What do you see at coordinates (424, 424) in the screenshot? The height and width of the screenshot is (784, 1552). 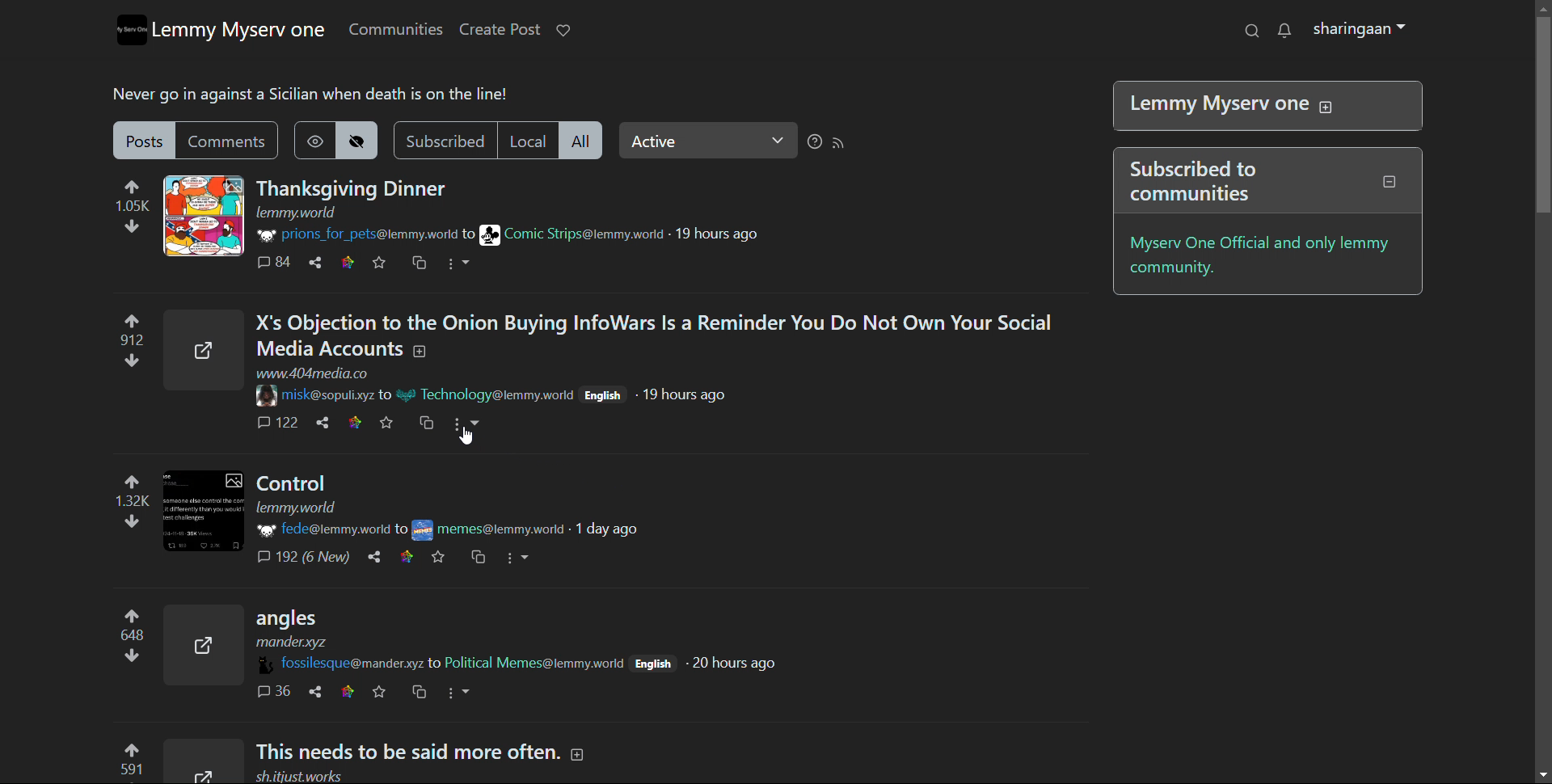 I see `Cross post` at bounding box center [424, 424].